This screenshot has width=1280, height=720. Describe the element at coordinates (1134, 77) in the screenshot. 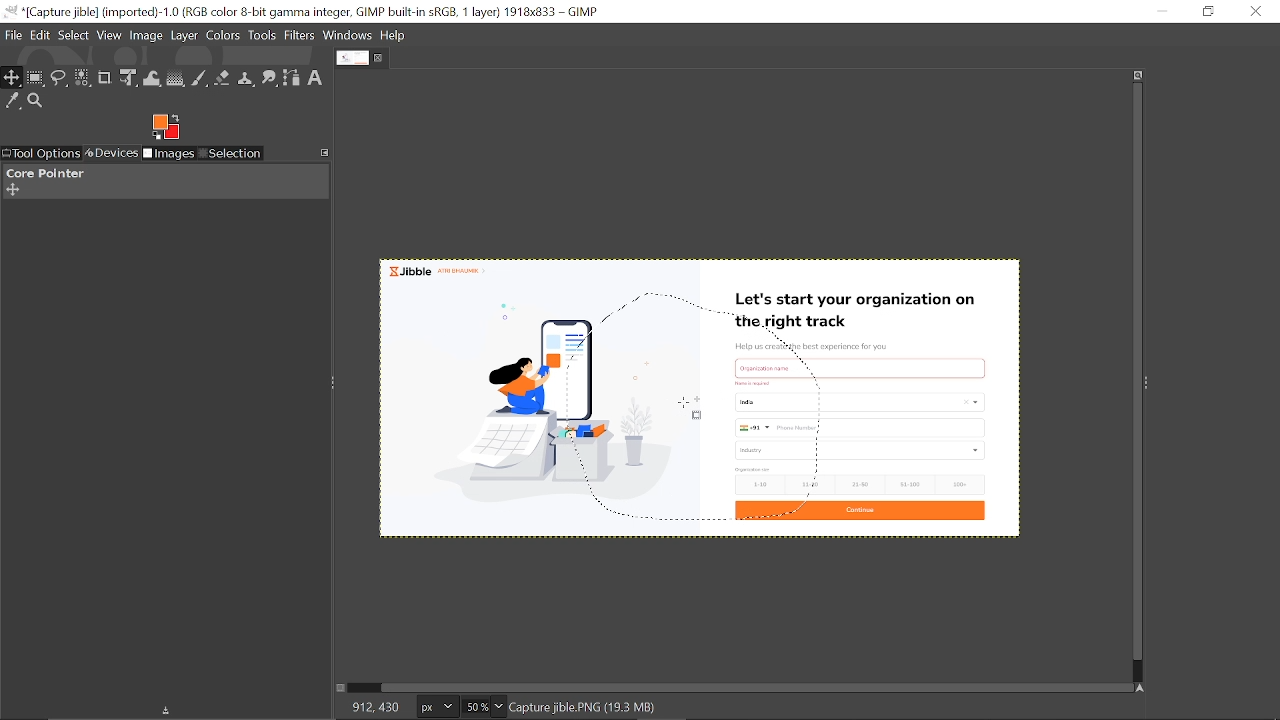

I see `Zoom when window size changes` at that location.